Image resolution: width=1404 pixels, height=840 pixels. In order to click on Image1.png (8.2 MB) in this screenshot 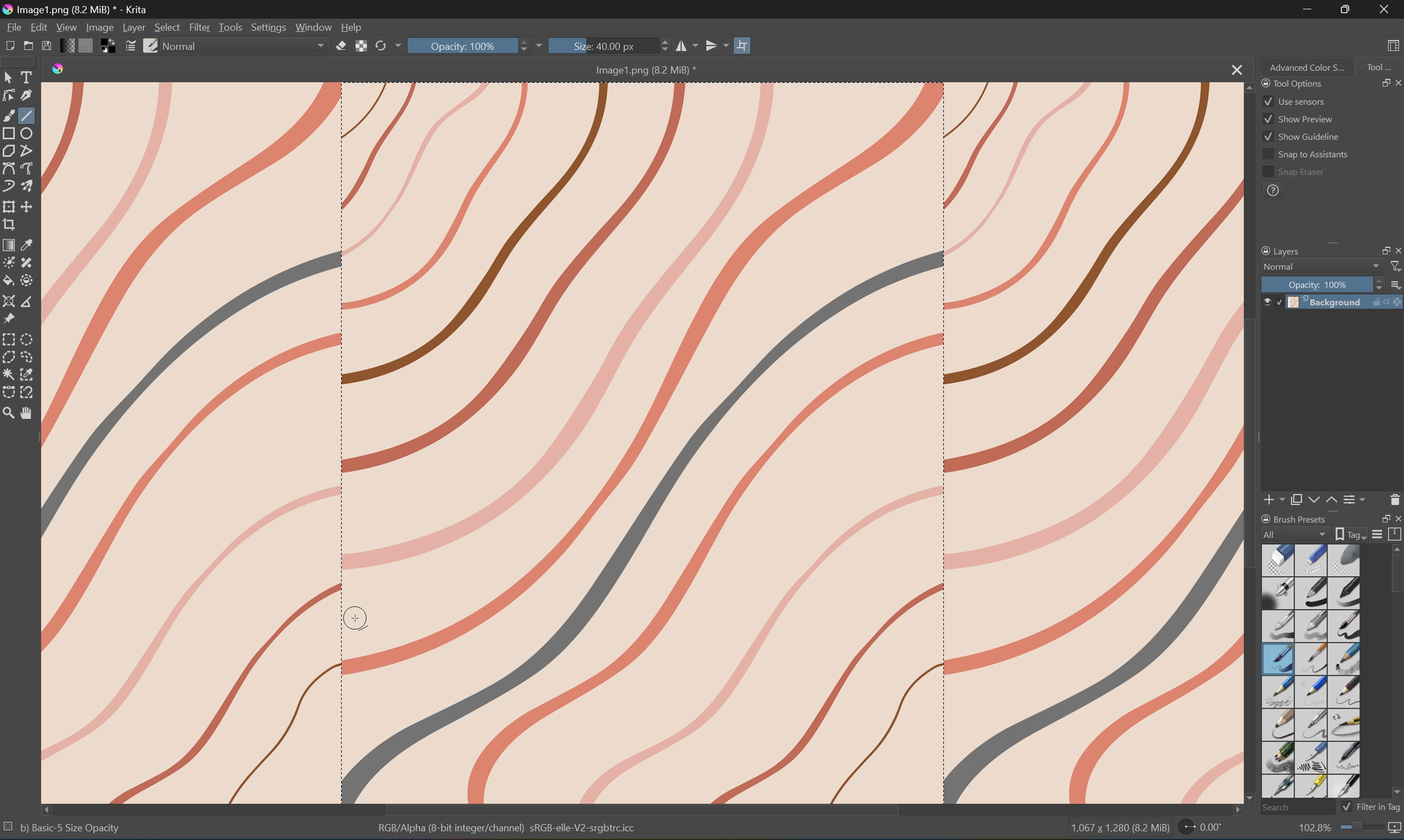, I will do `click(641, 70)`.